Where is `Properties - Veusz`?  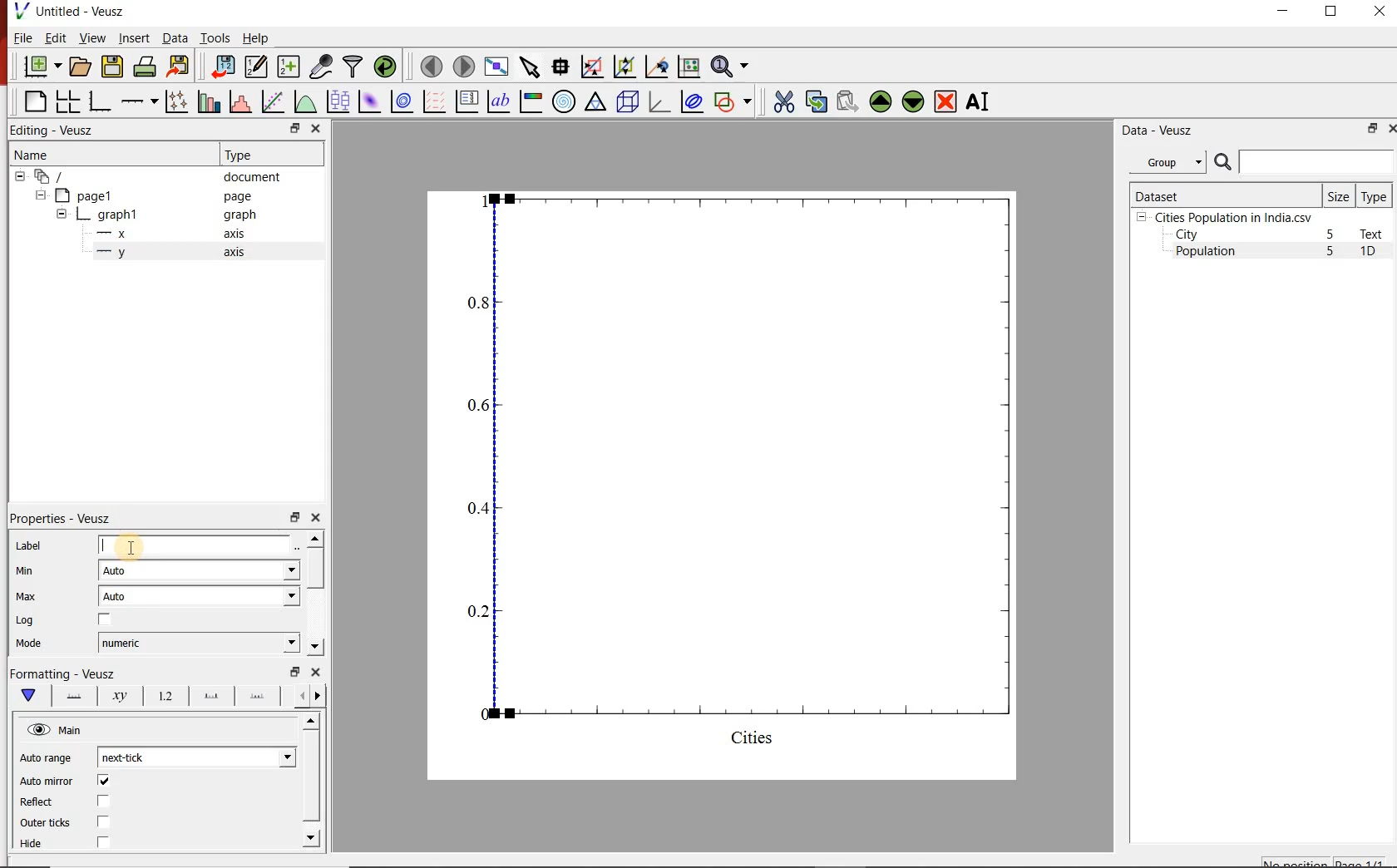
Properties - Veusz is located at coordinates (60, 519).